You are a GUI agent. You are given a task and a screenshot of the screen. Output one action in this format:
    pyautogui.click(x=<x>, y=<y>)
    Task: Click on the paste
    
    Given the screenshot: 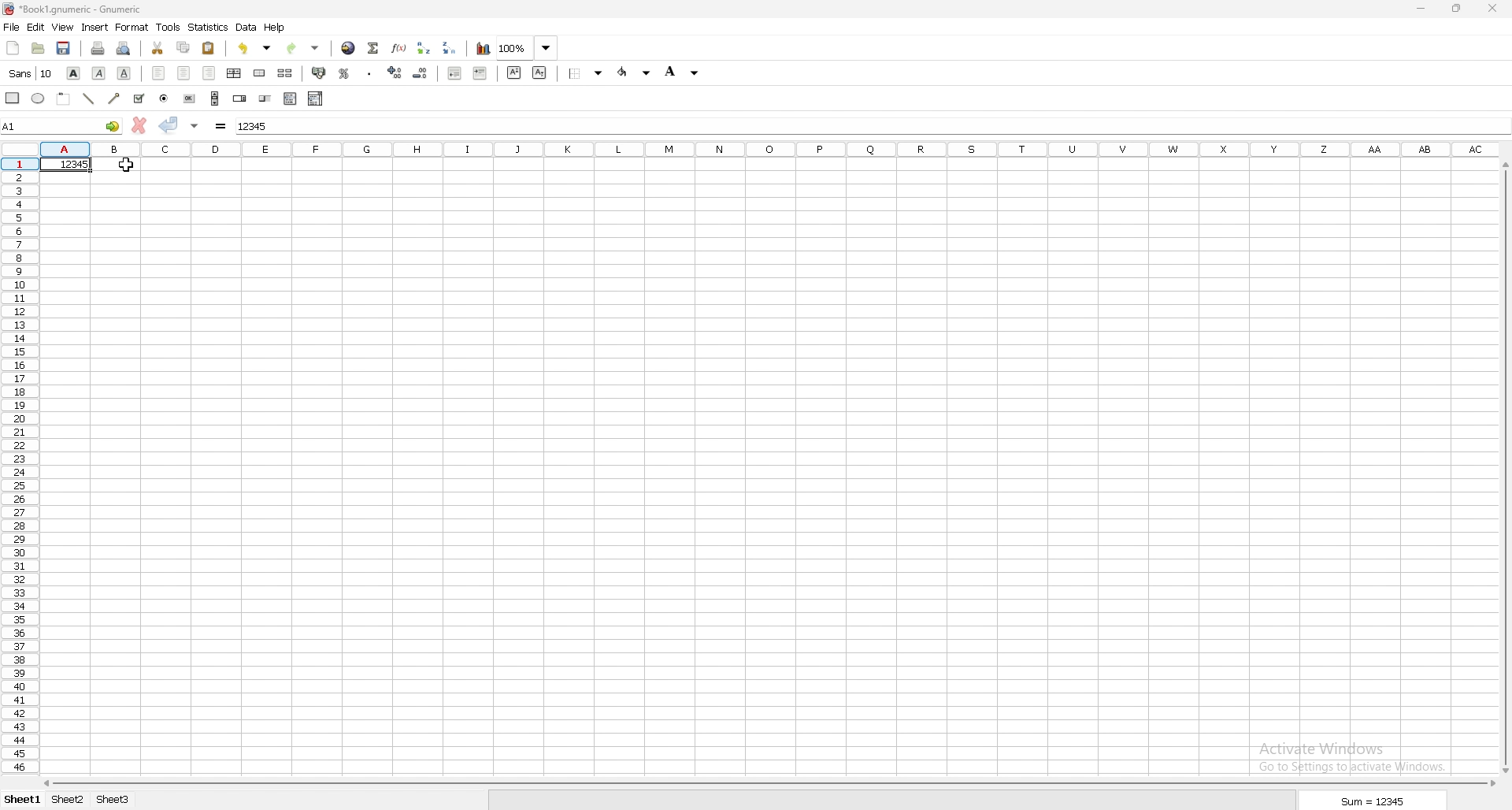 What is the action you would take?
    pyautogui.click(x=209, y=48)
    